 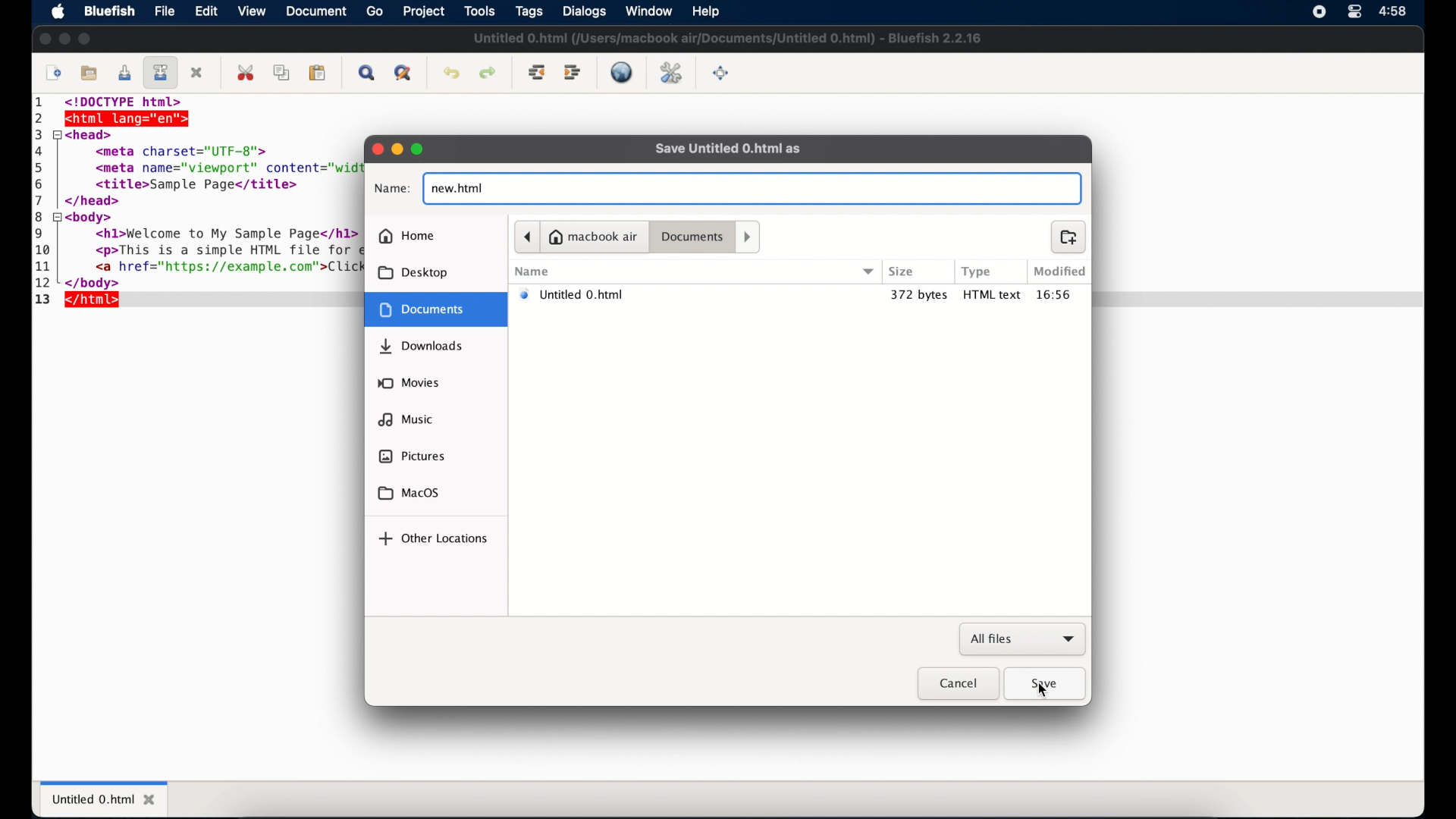 What do you see at coordinates (1048, 690) in the screenshot?
I see `cursor` at bounding box center [1048, 690].